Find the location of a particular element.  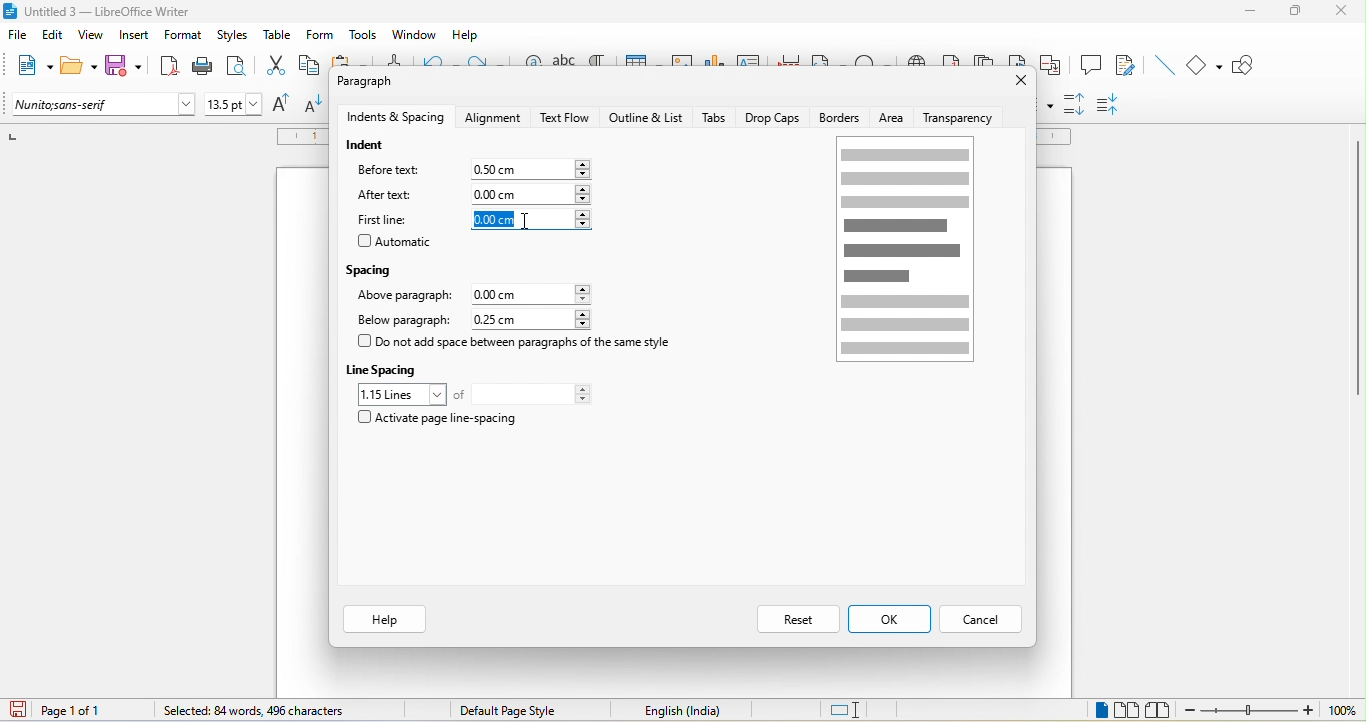

increase size is located at coordinates (278, 103).